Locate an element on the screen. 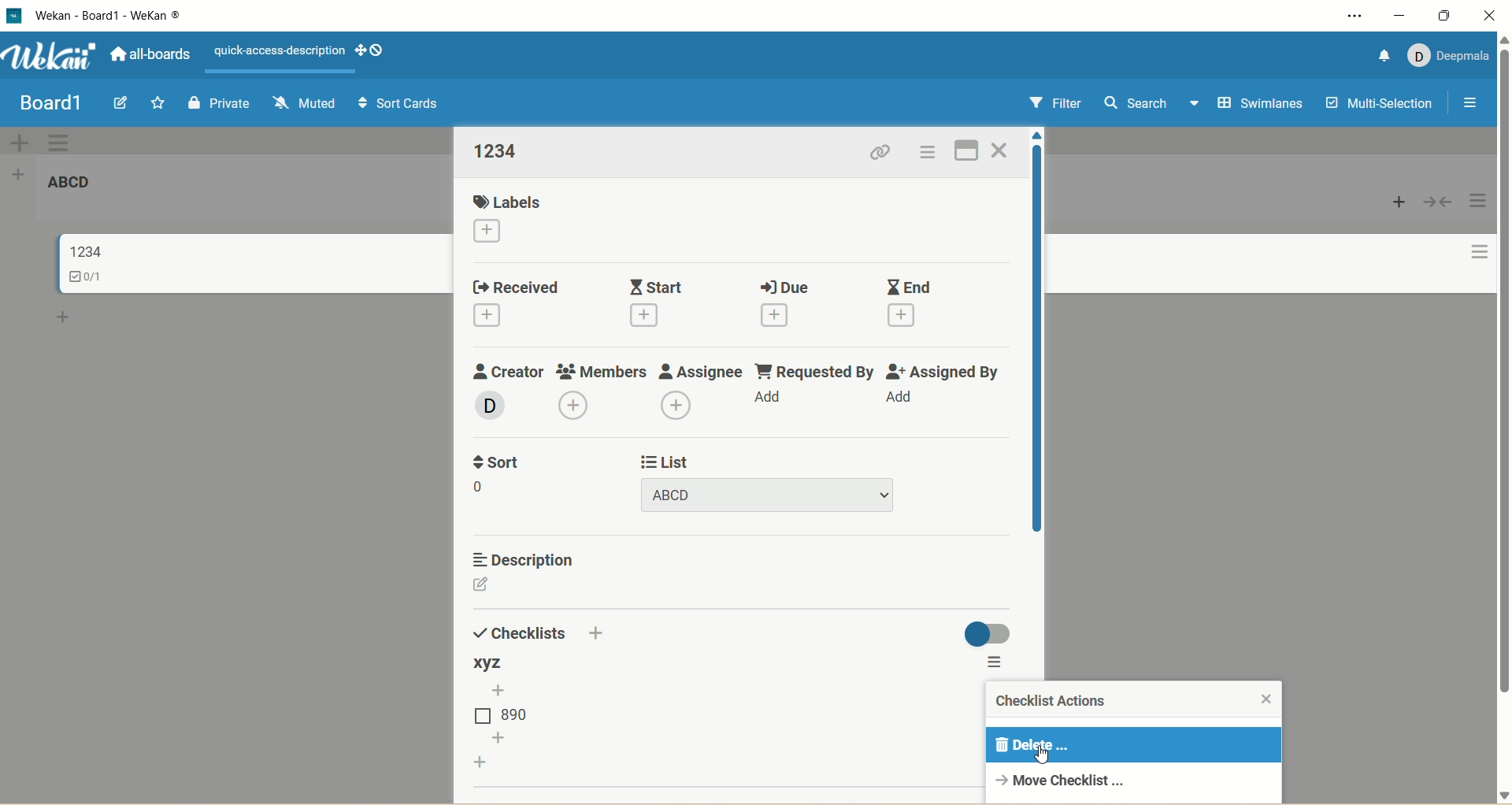 The image size is (1512, 805). close is located at coordinates (1269, 700).